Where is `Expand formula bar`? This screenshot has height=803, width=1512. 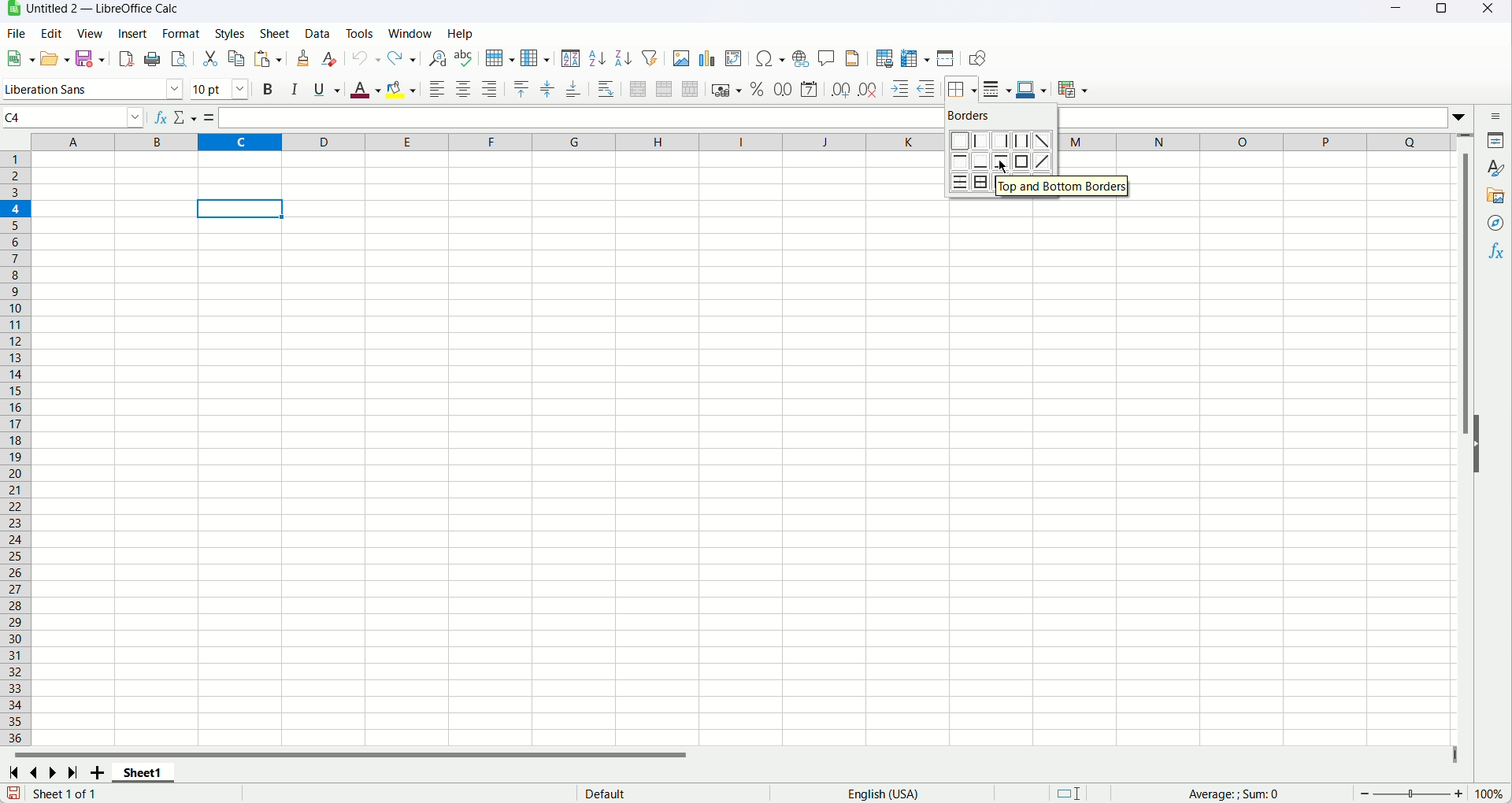
Expand formula bar is located at coordinates (1462, 116).